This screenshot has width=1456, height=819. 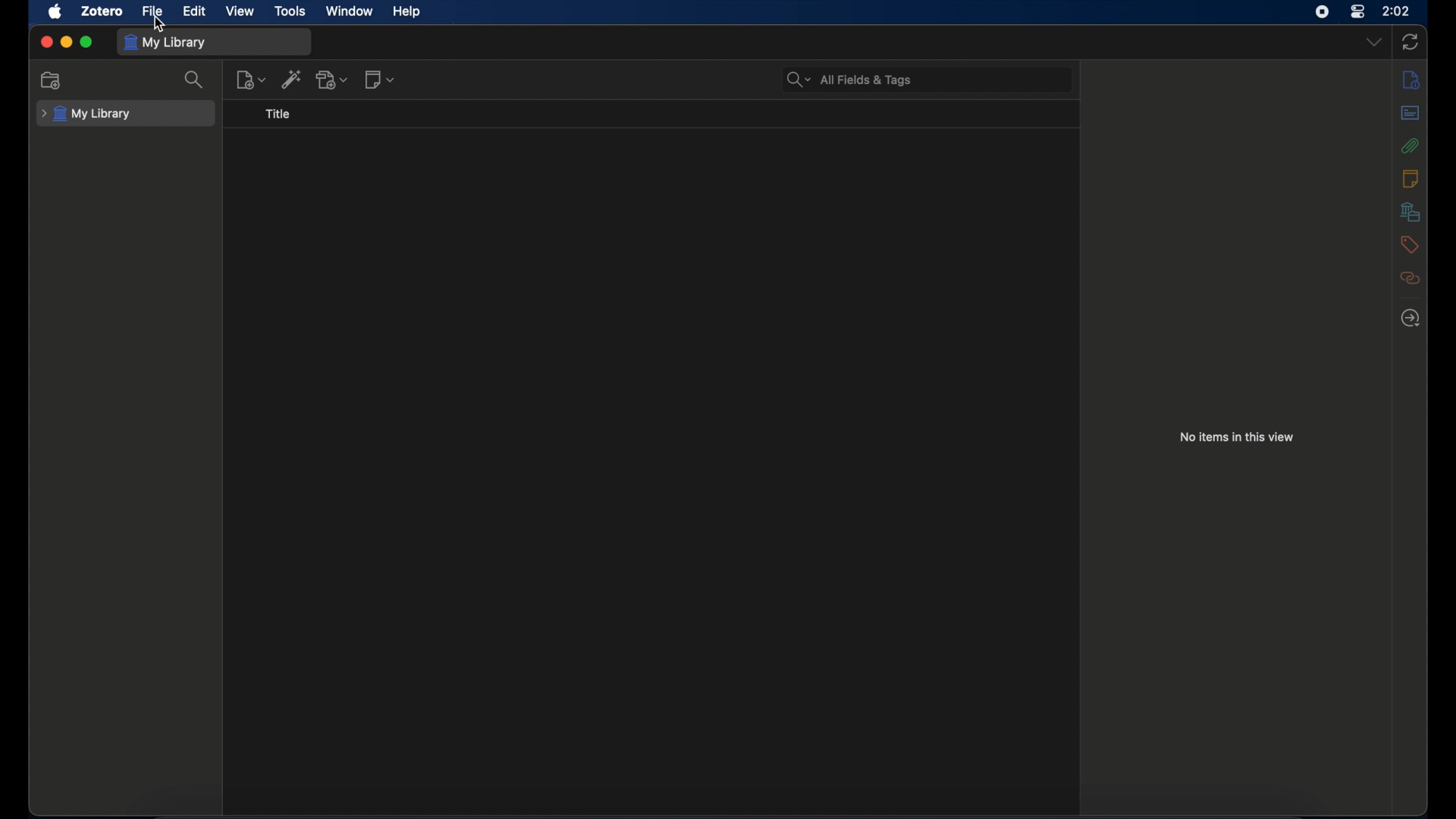 I want to click on search, so click(x=194, y=79).